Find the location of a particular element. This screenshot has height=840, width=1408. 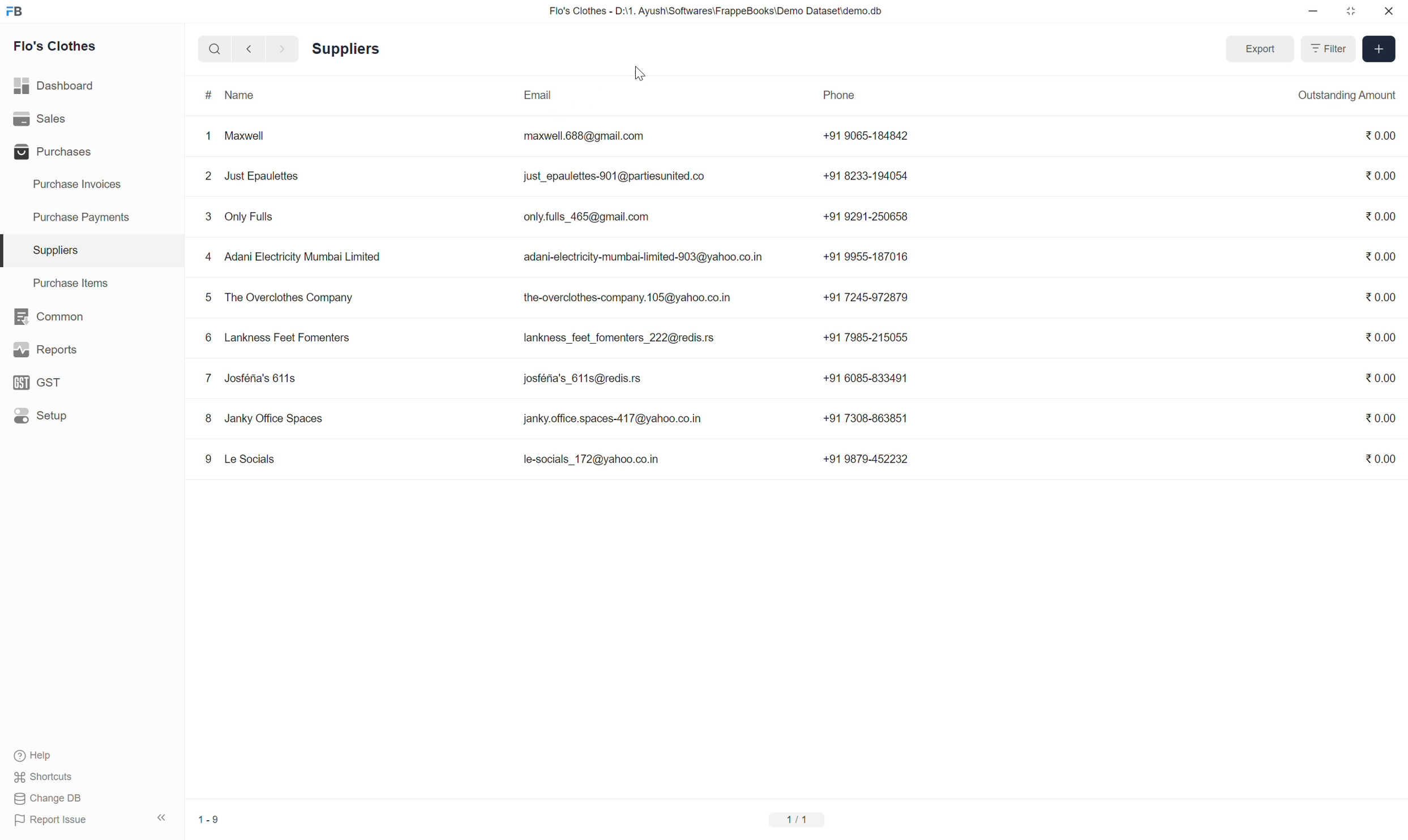

Filter is located at coordinates (1326, 48).